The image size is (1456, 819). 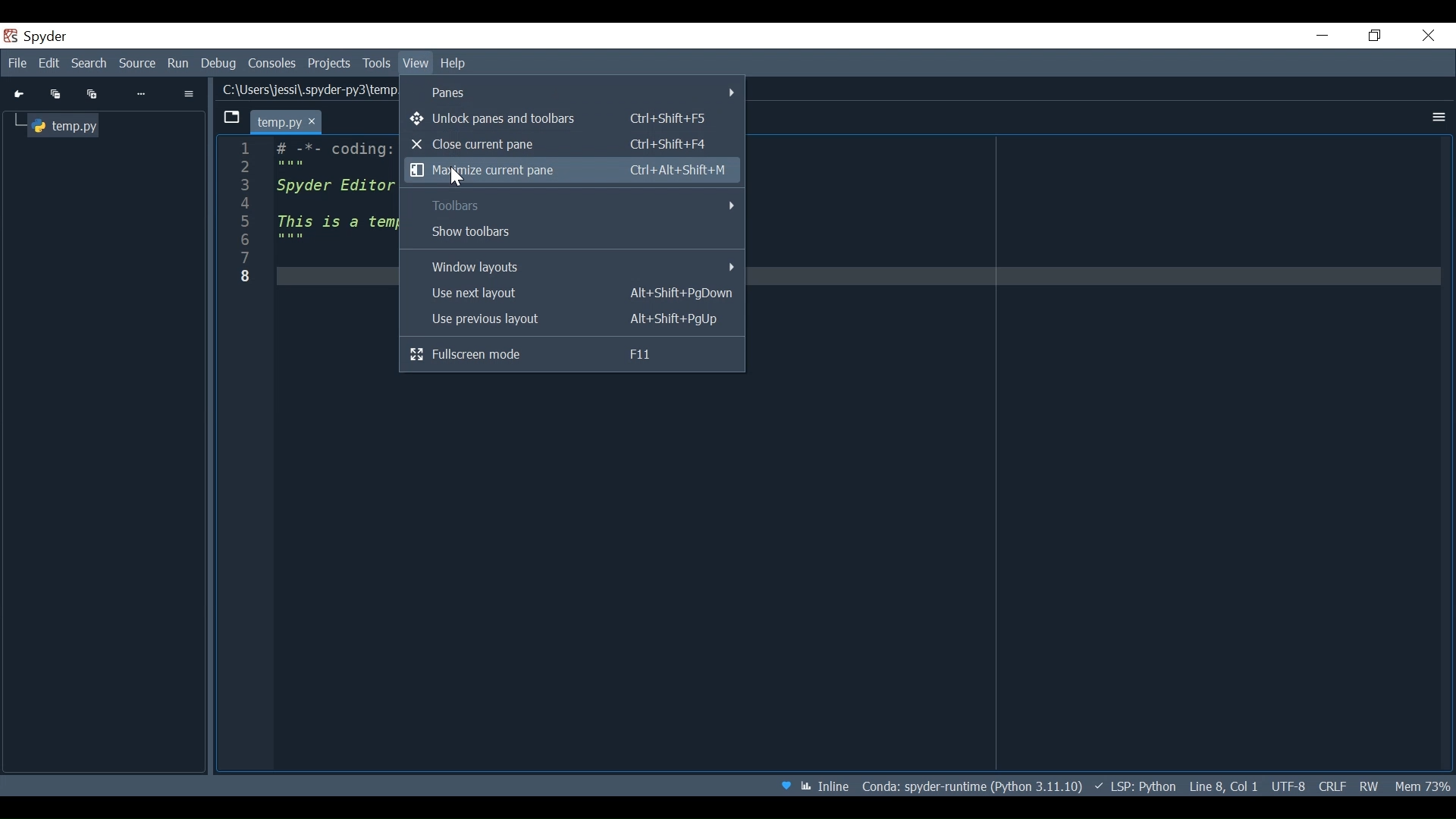 I want to click on C:\Users\jessi\.spyder-py3\temp,, so click(x=315, y=91).